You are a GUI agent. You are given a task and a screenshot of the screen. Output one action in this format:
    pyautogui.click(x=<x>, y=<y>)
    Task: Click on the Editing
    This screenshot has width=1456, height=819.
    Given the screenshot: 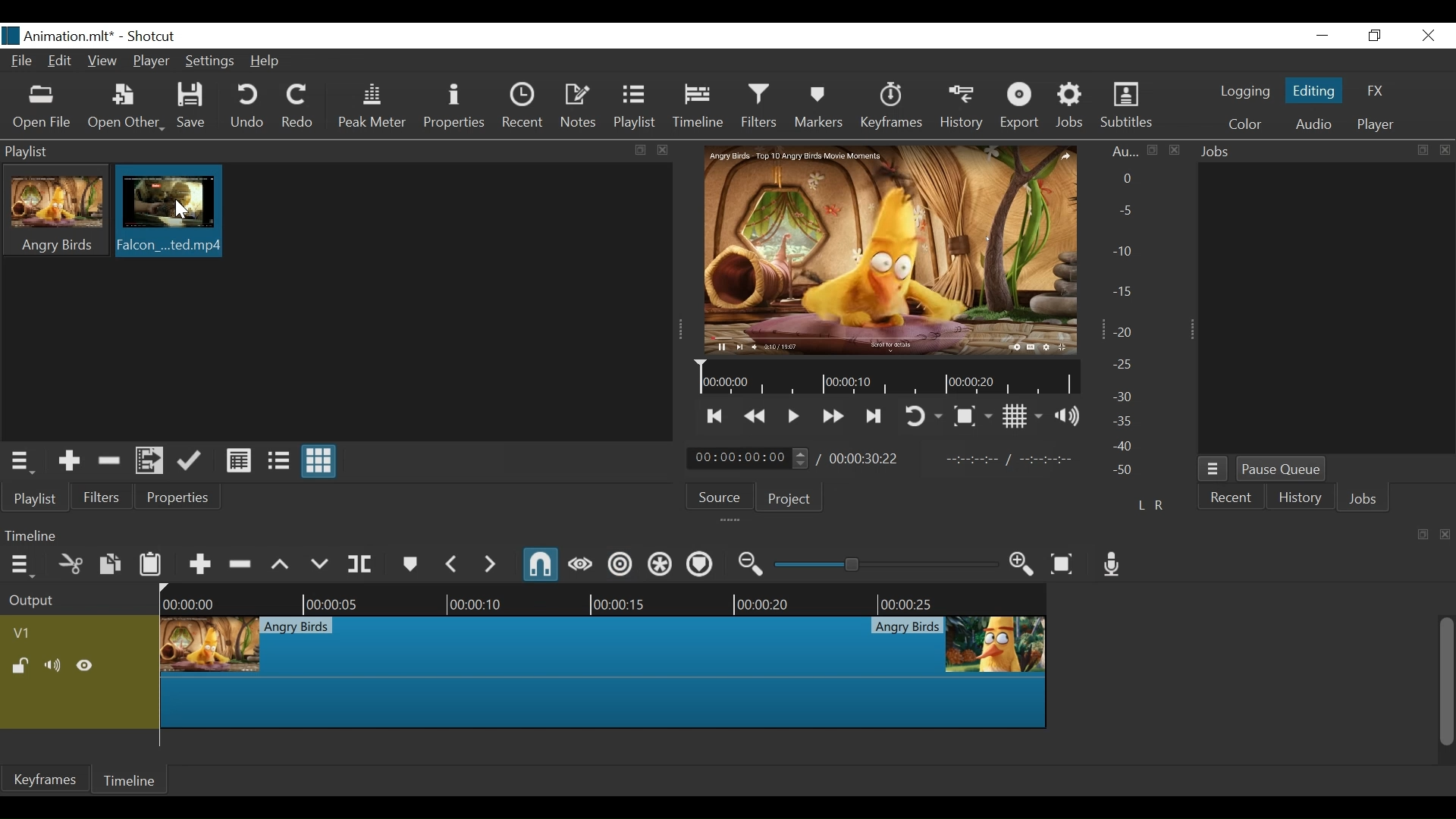 What is the action you would take?
    pyautogui.click(x=1313, y=91)
    